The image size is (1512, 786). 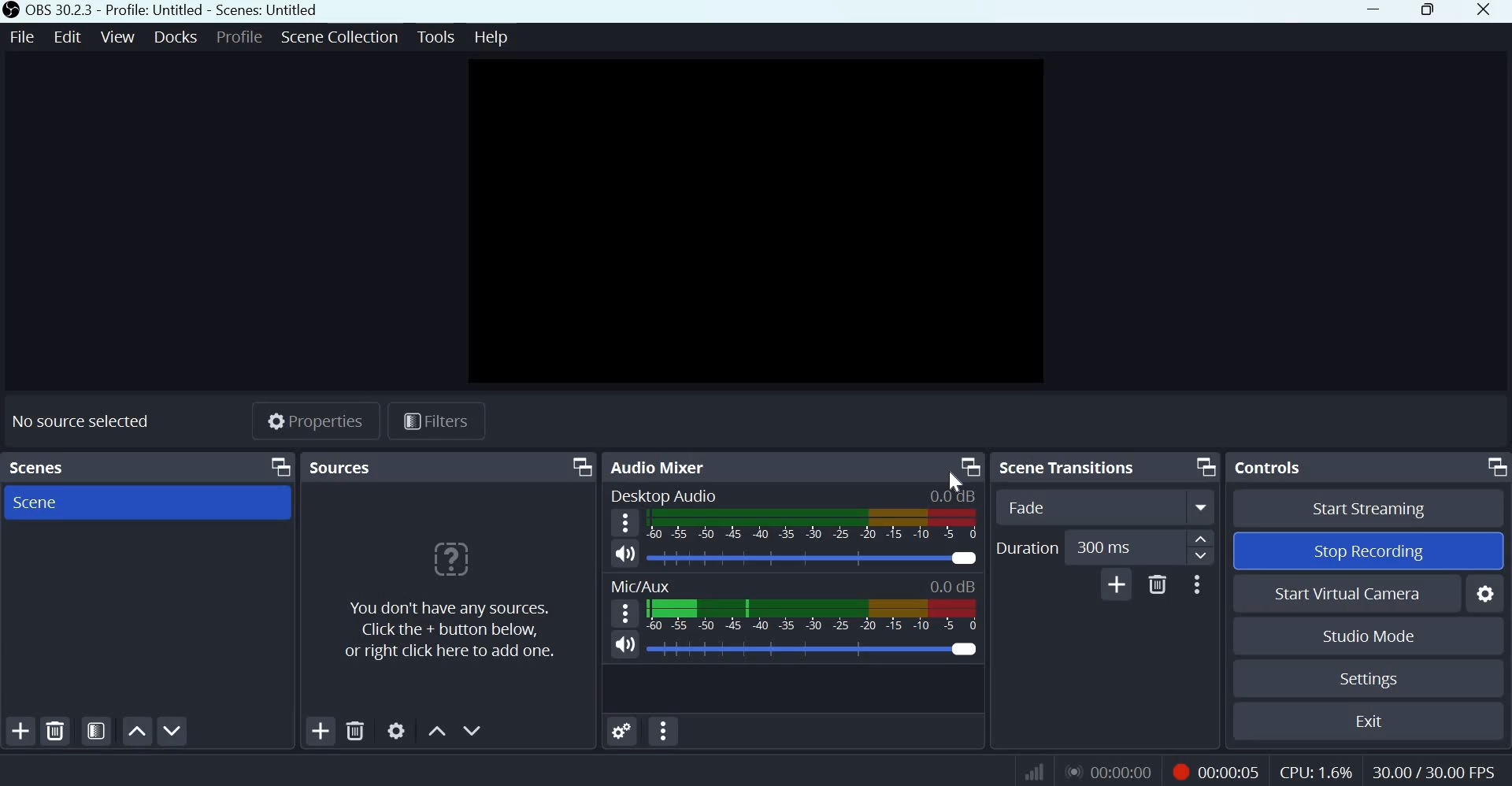 I want to click on 00:00:00, so click(x=1105, y=769).